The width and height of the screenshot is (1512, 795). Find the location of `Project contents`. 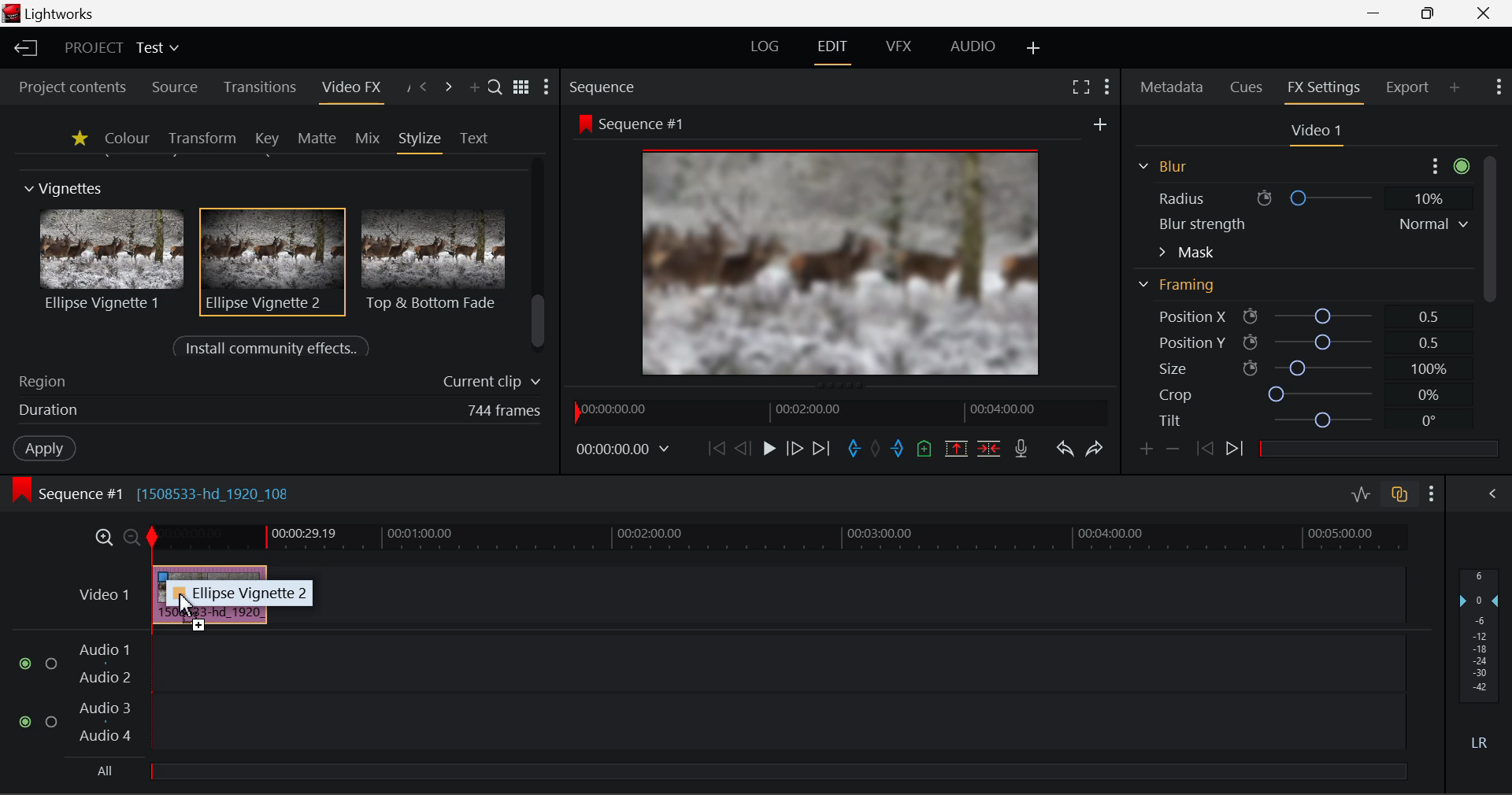

Project contents is located at coordinates (72, 87).